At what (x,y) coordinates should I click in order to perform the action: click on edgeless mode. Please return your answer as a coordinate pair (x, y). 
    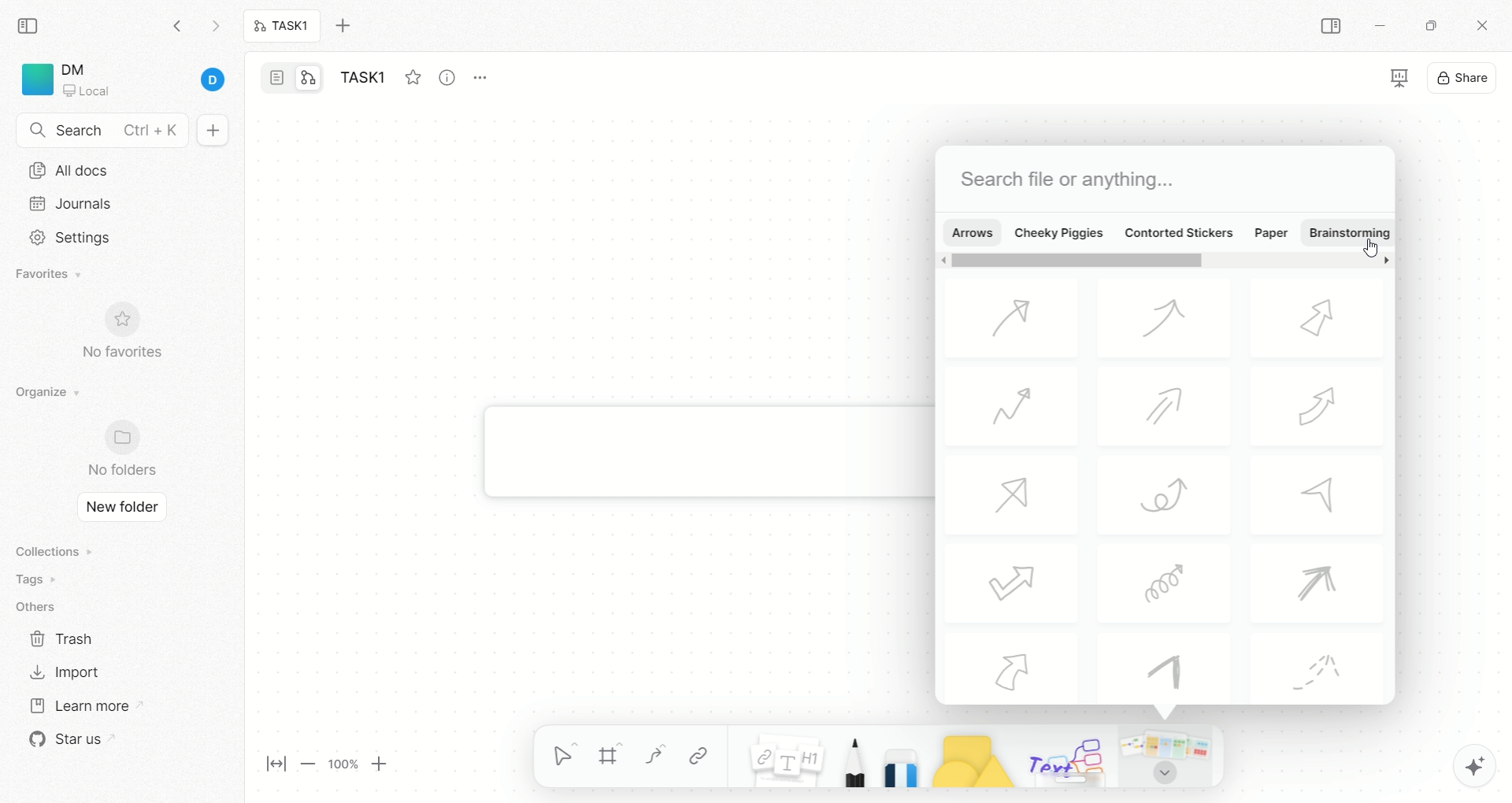
    Looking at the image, I should click on (309, 77).